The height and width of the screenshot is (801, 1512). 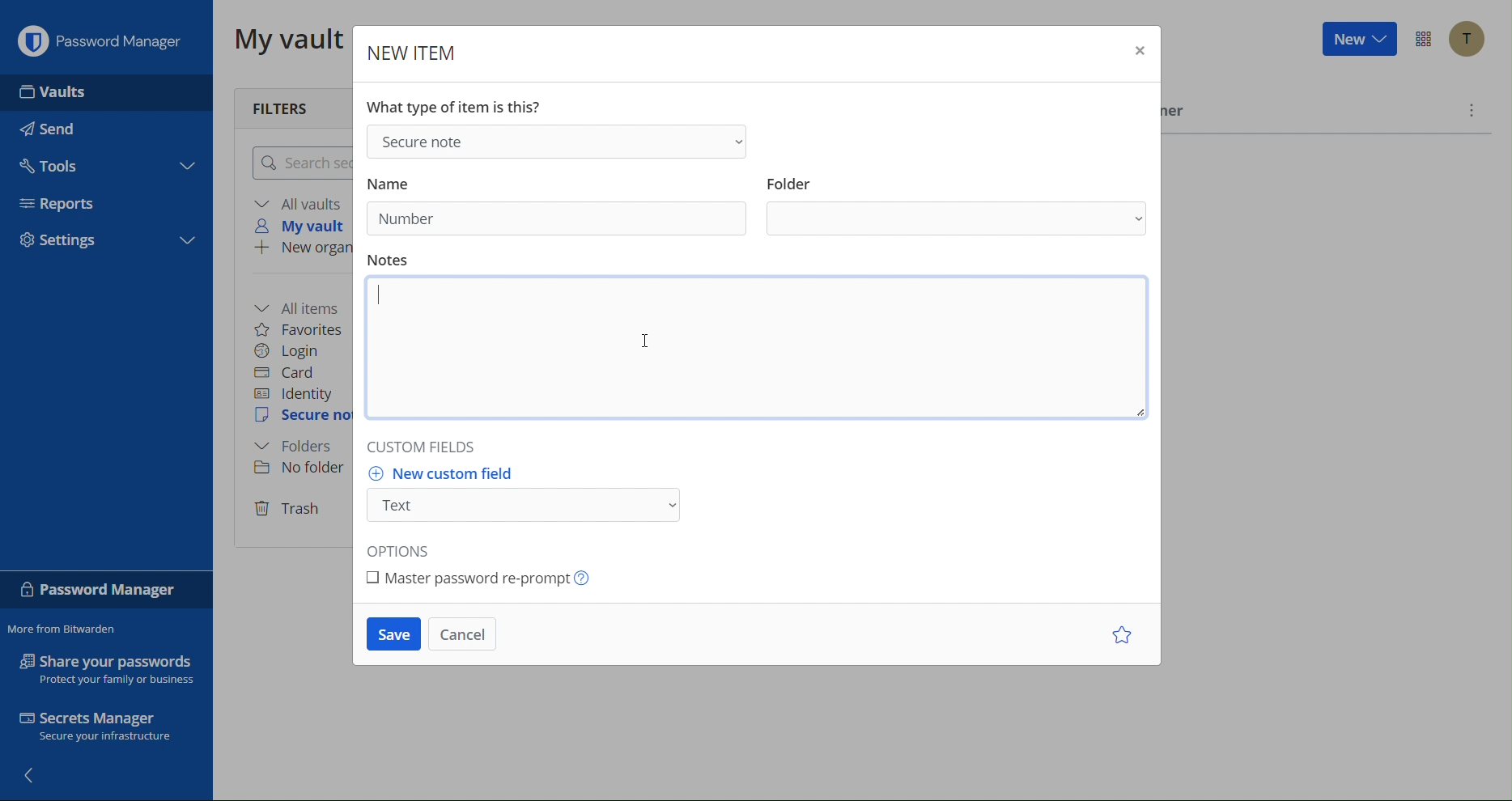 What do you see at coordinates (410, 48) in the screenshot?
I see `New Item` at bounding box center [410, 48].